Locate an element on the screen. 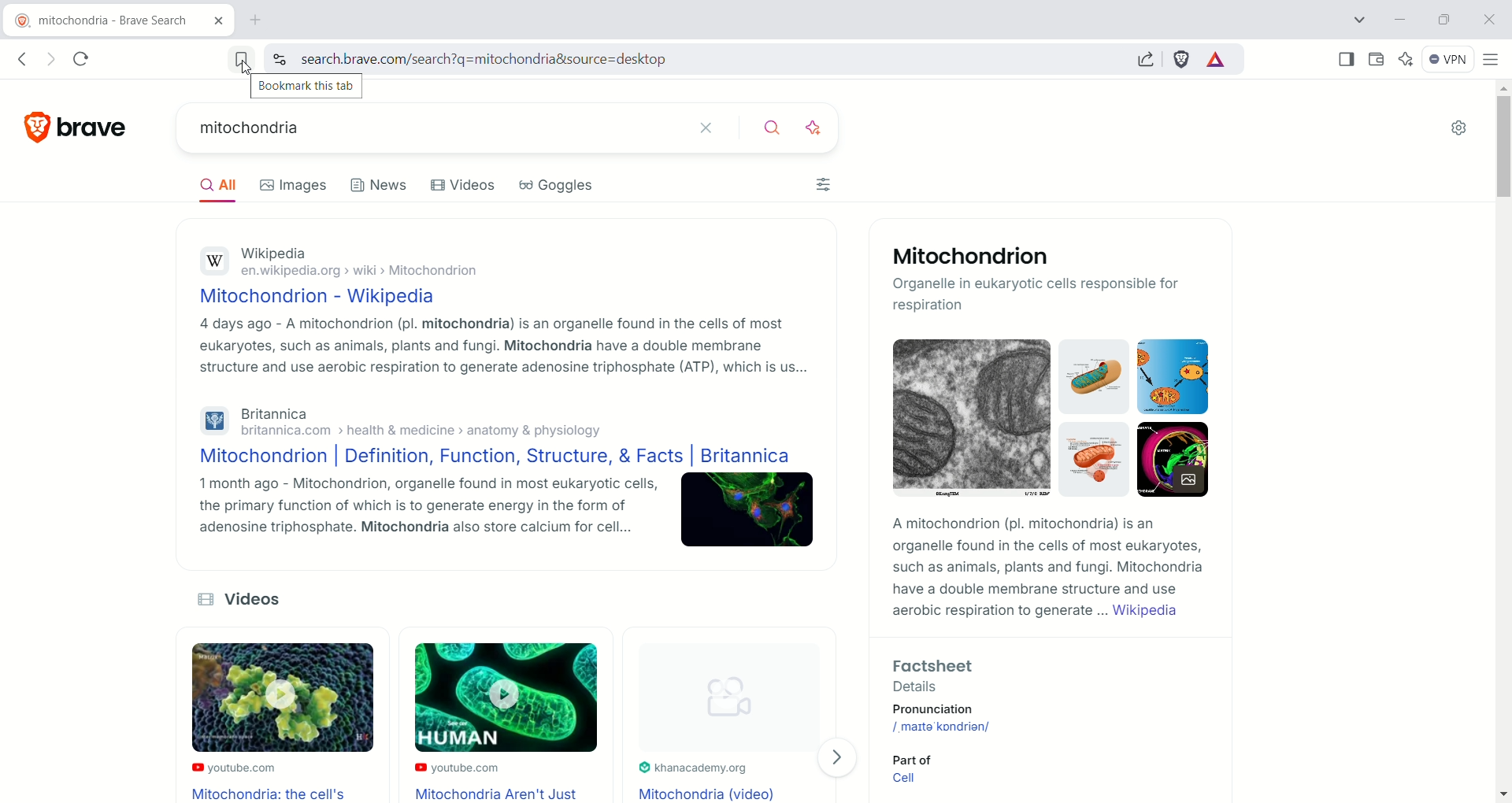 The image size is (1512, 803).  search.brave.com/search?q=mitochondria&source=desktop is located at coordinates (480, 59).